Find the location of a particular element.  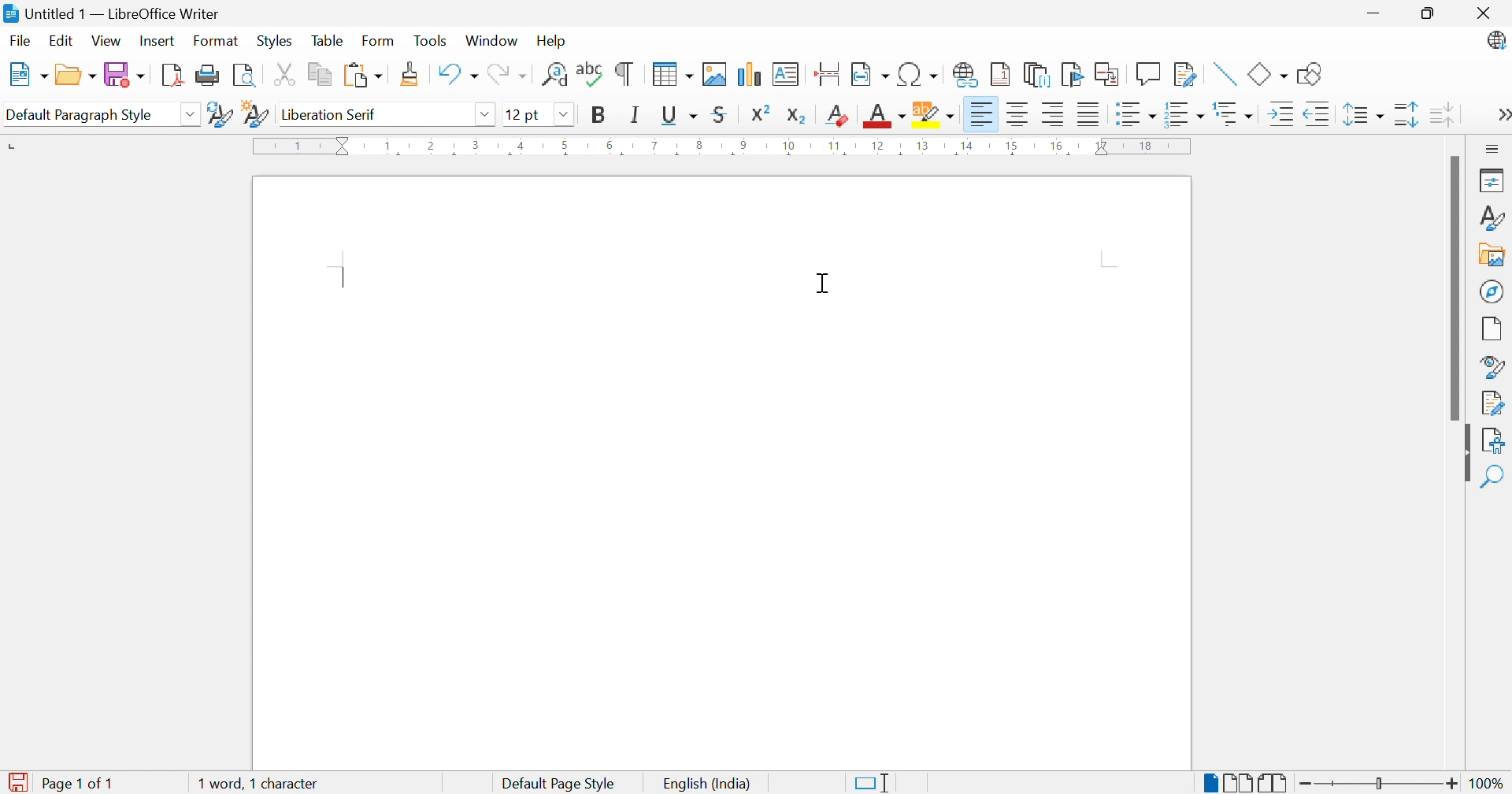

Bold is located at coordinates (598, 116).